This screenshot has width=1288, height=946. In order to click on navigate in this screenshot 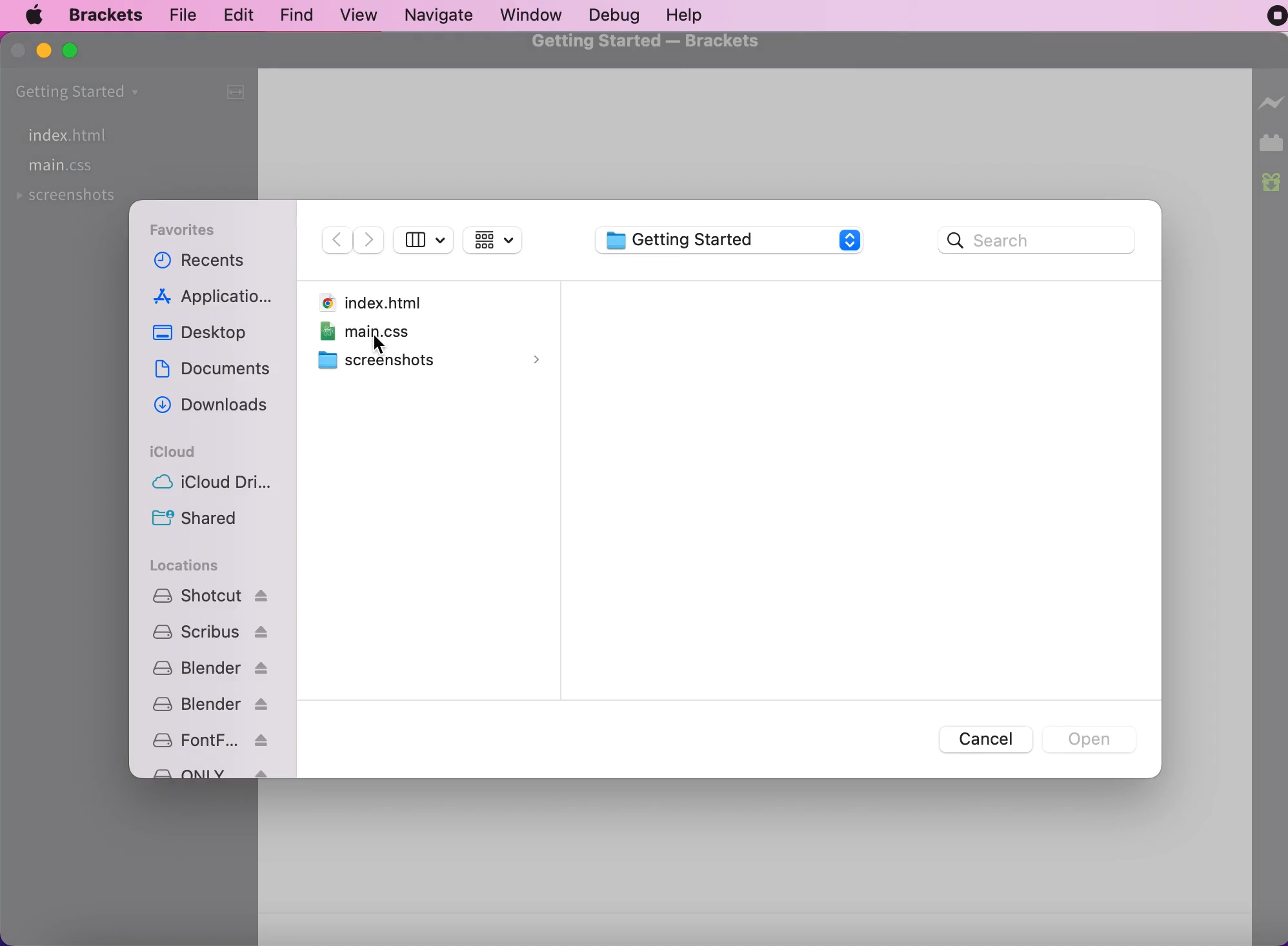, I will do `click(445, 16)`.